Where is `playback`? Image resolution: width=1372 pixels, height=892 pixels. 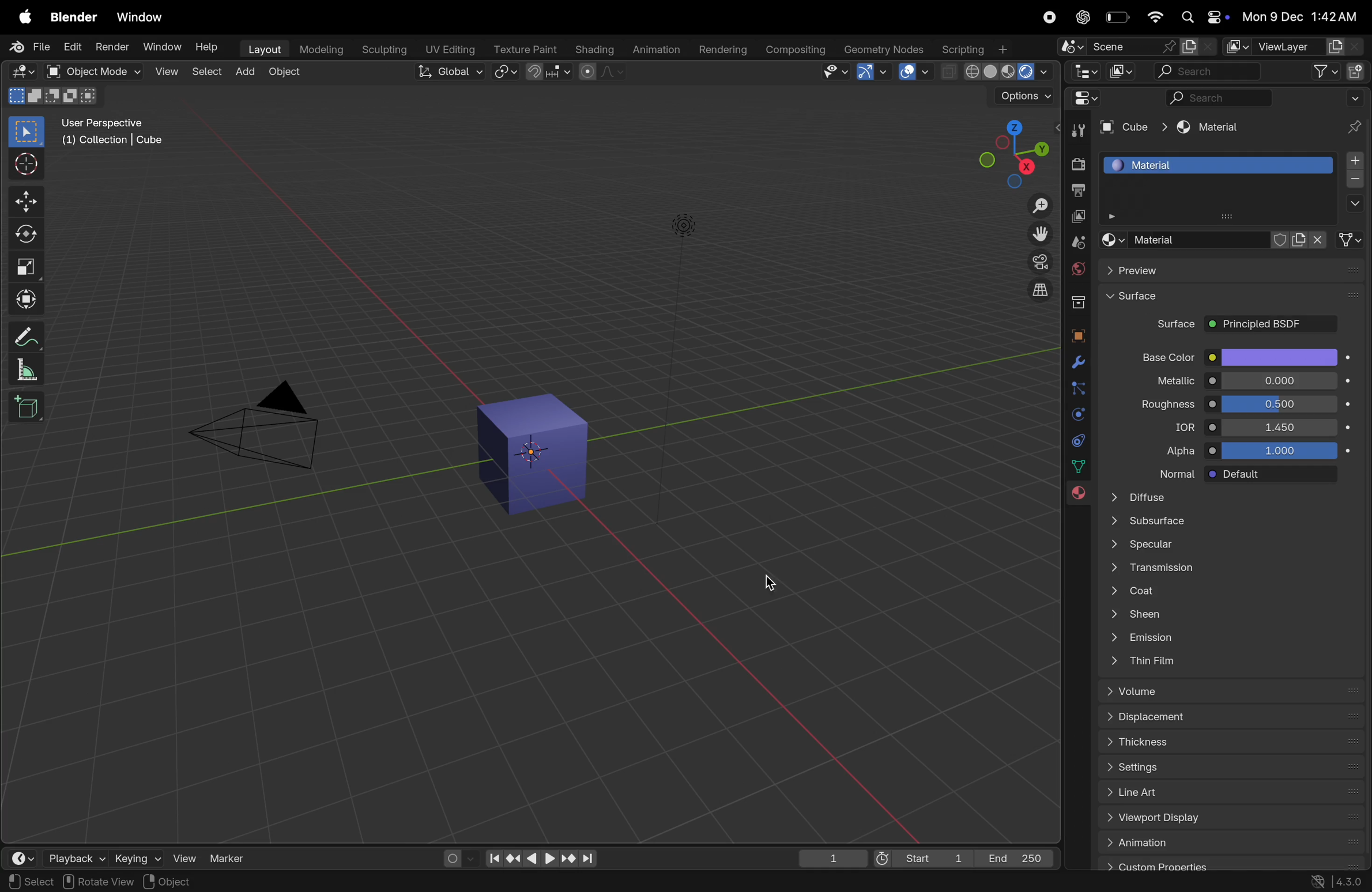
playback is located at coordinates (62, 856).